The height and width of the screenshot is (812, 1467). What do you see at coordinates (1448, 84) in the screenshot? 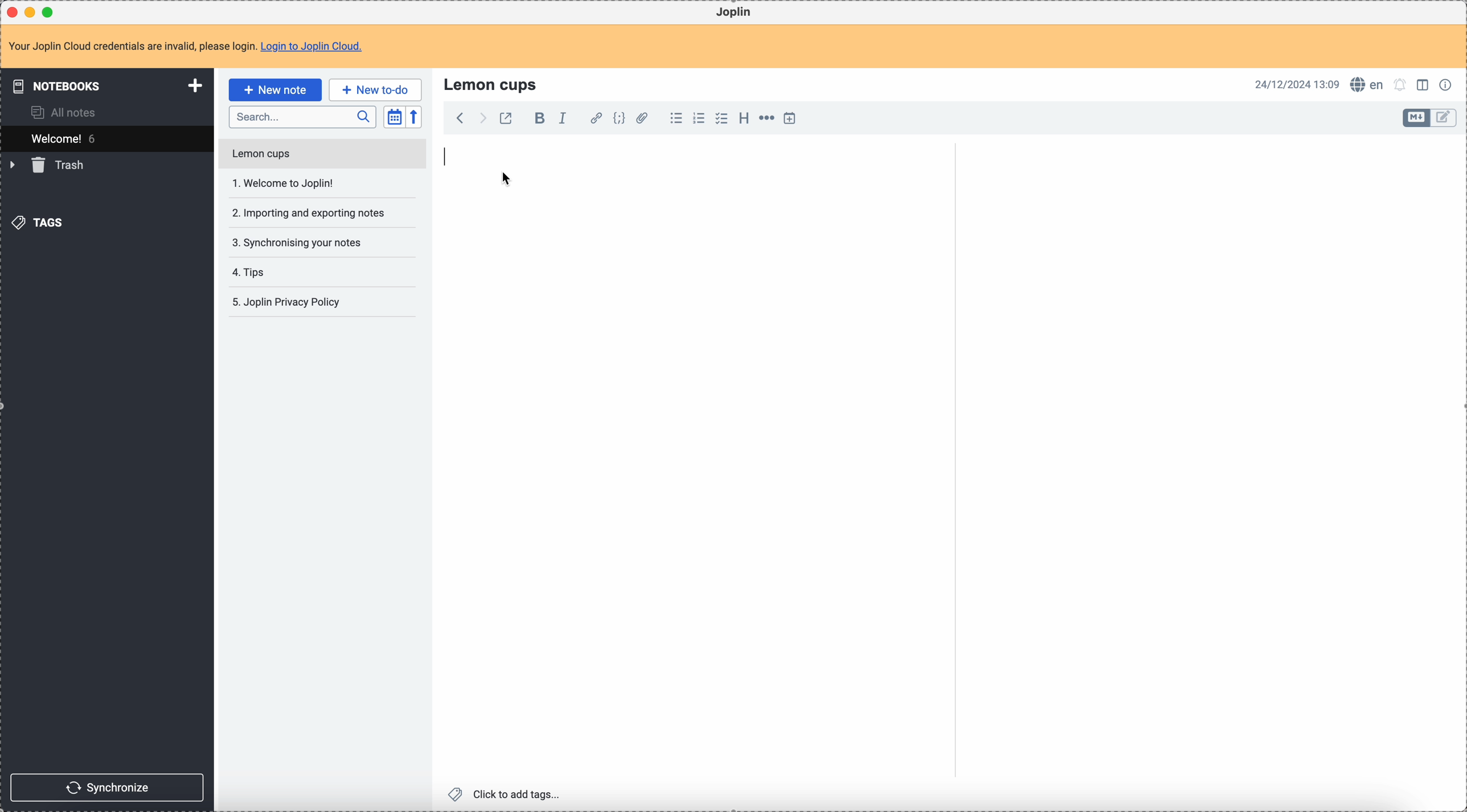
I see `note properties` at bounding box center [1448, 84].